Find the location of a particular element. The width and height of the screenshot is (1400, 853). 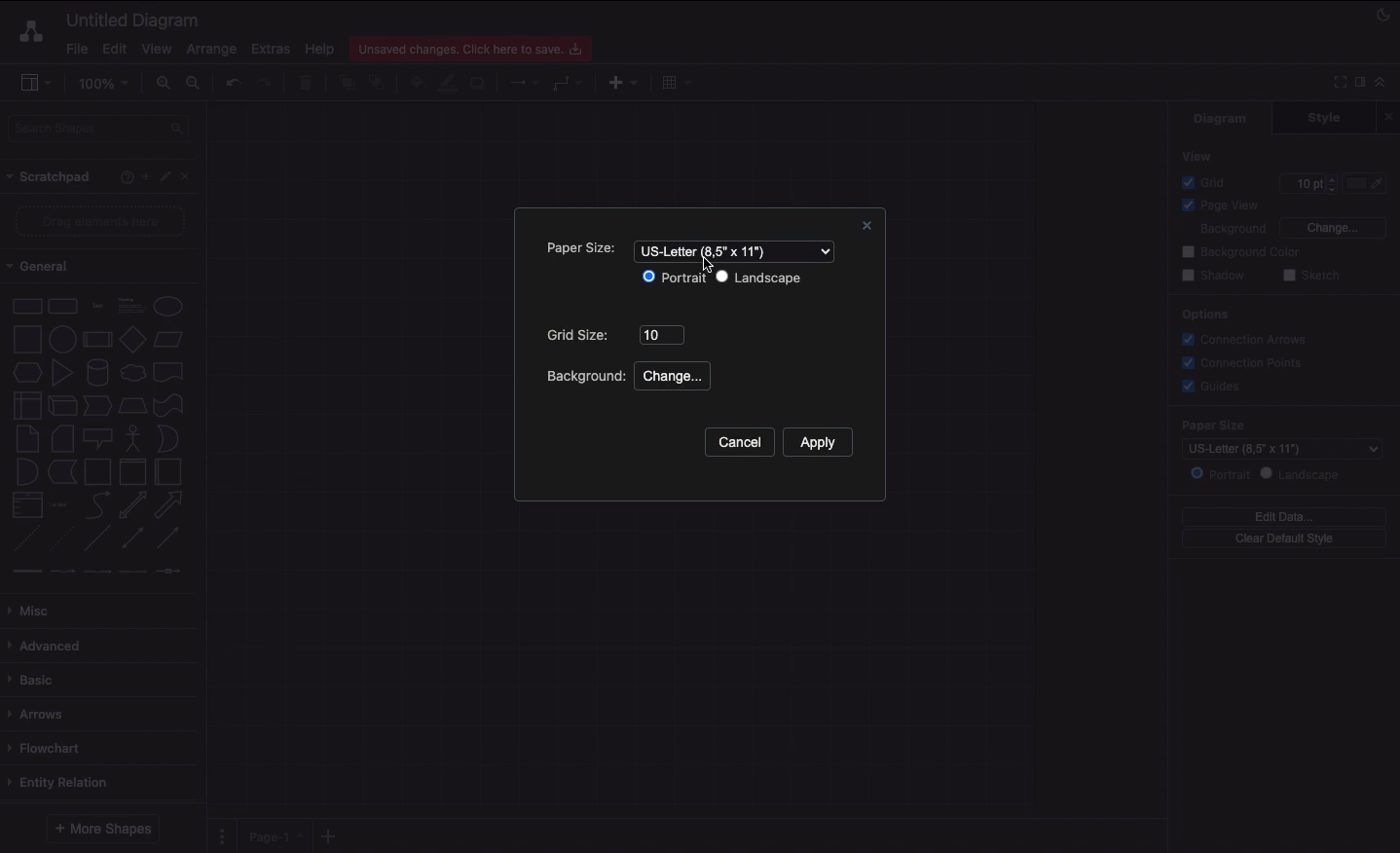

Connection  is located at coordinates (525, 83).